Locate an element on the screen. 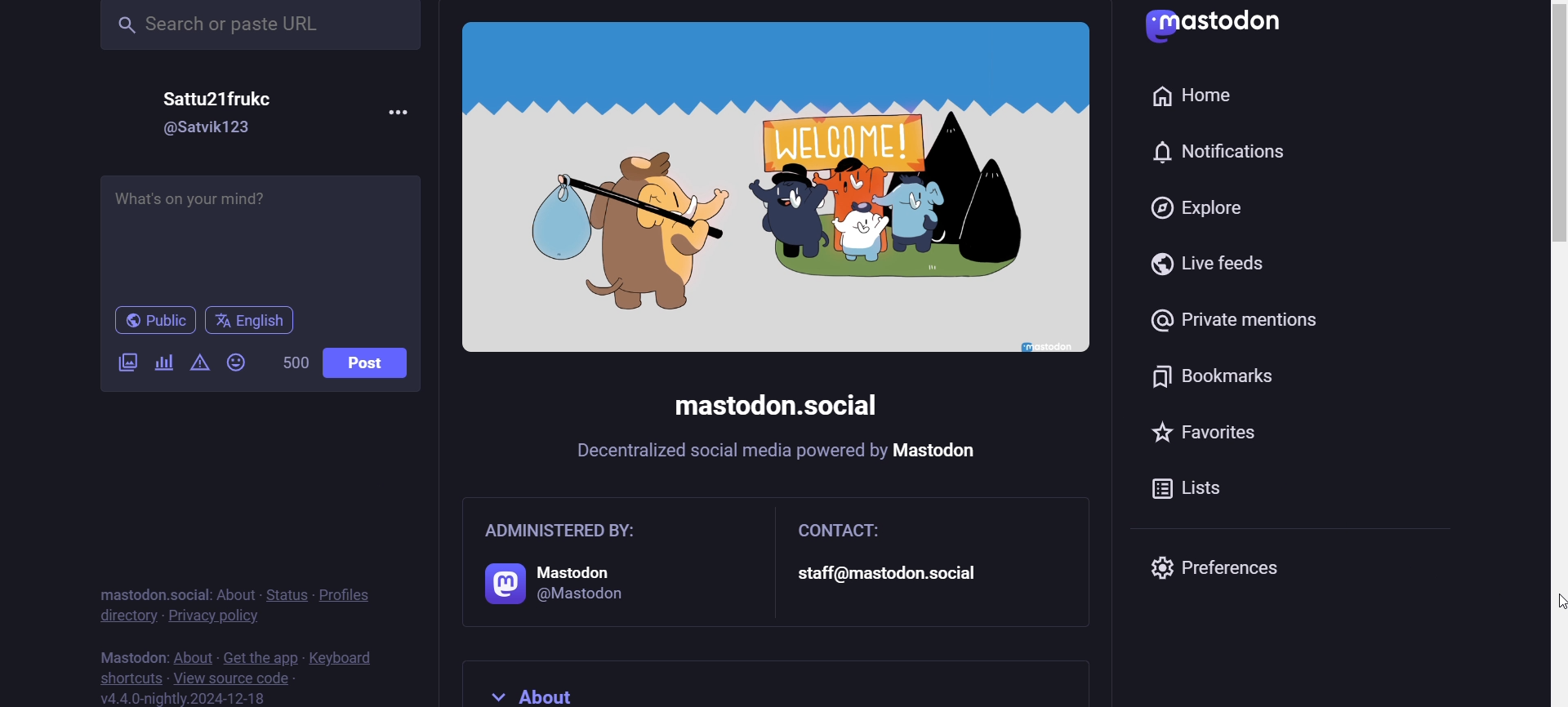 Image resolution: width=1568 pixels, height=707 pixels. @satvik123 is located at coordinates (220, 131).